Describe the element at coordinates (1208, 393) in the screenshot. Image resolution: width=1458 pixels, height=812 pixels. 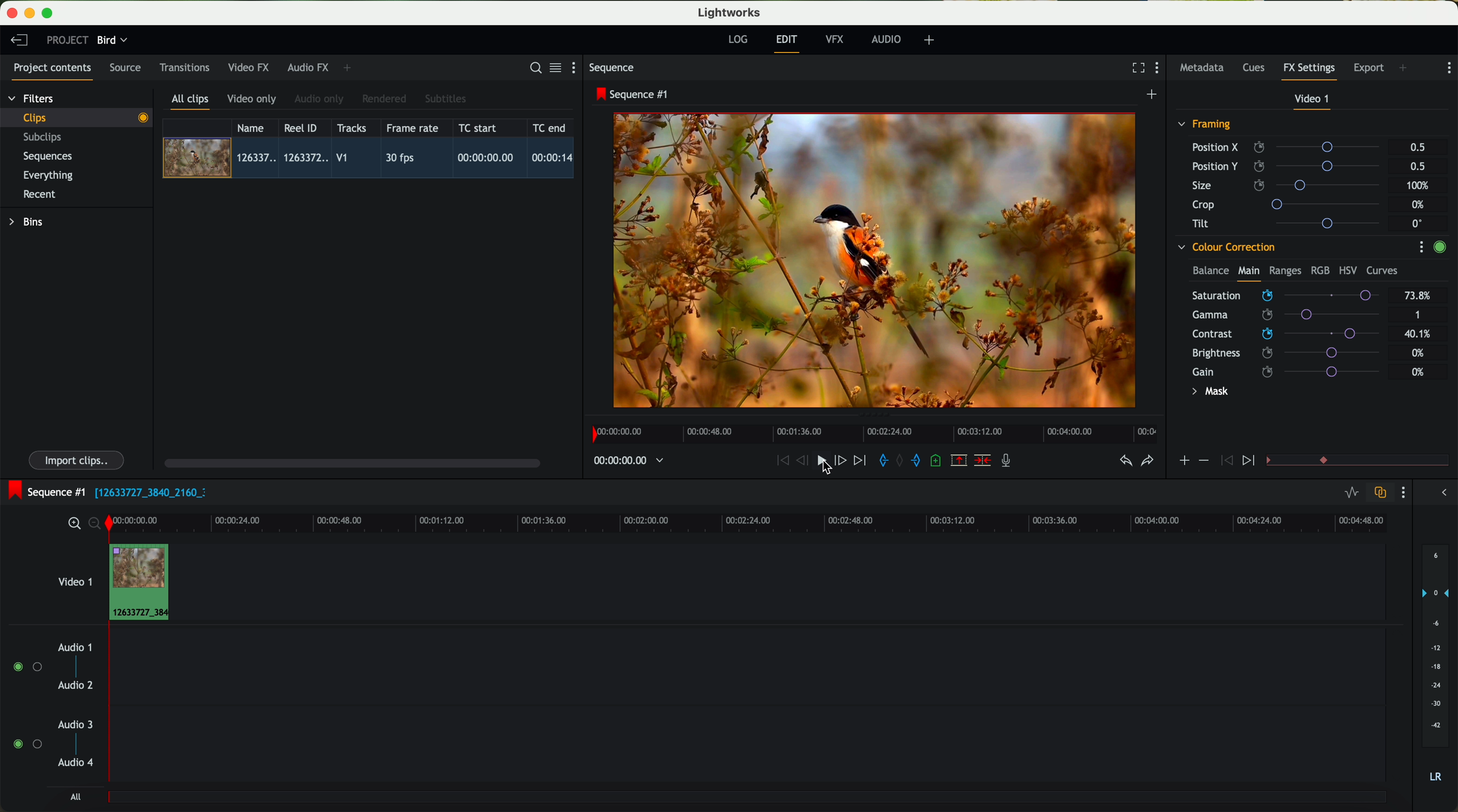
I see `mask` at that location.